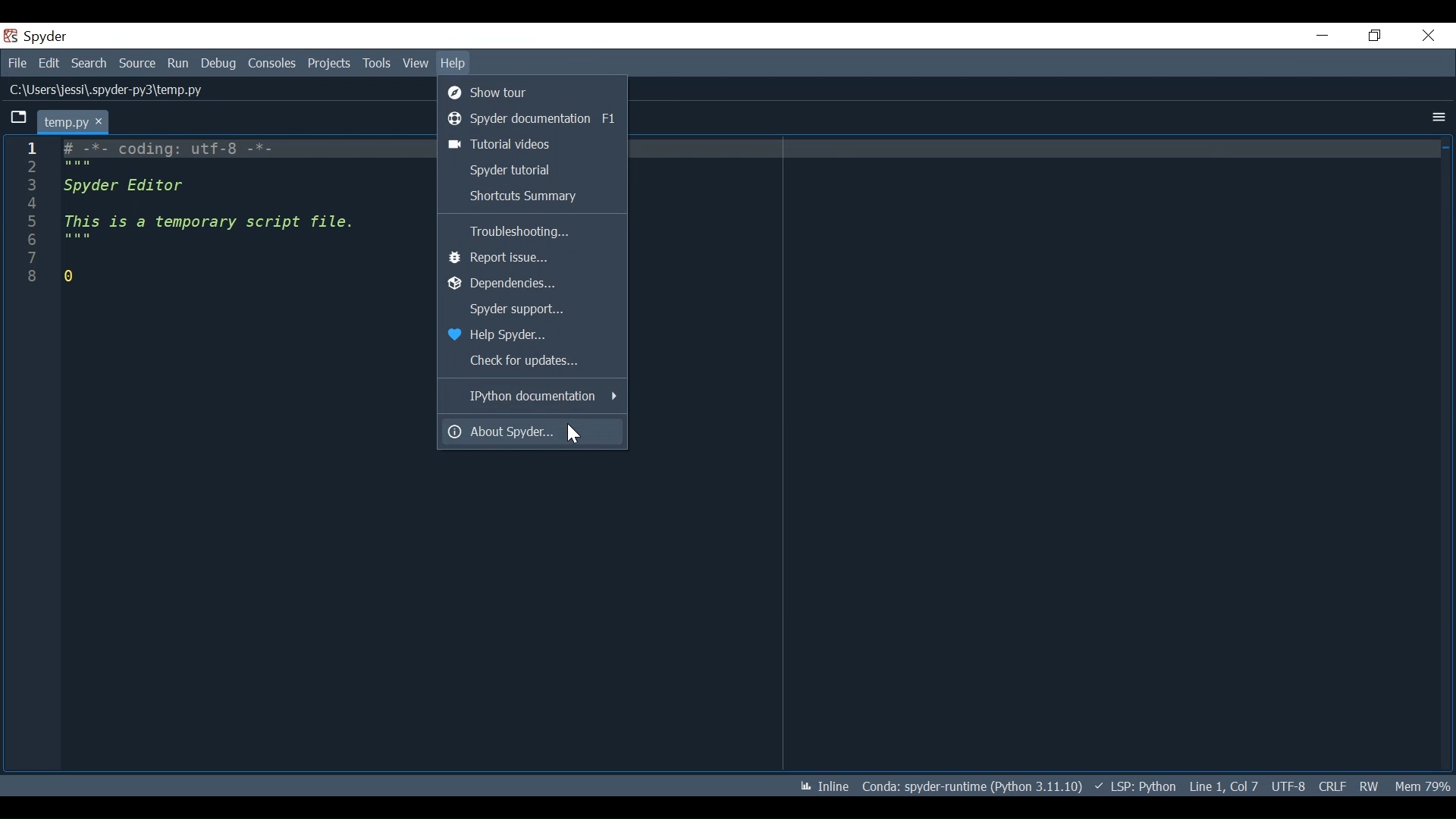 The image size is (1456, 819). I want to click on CRLF, so click(1332, 786).